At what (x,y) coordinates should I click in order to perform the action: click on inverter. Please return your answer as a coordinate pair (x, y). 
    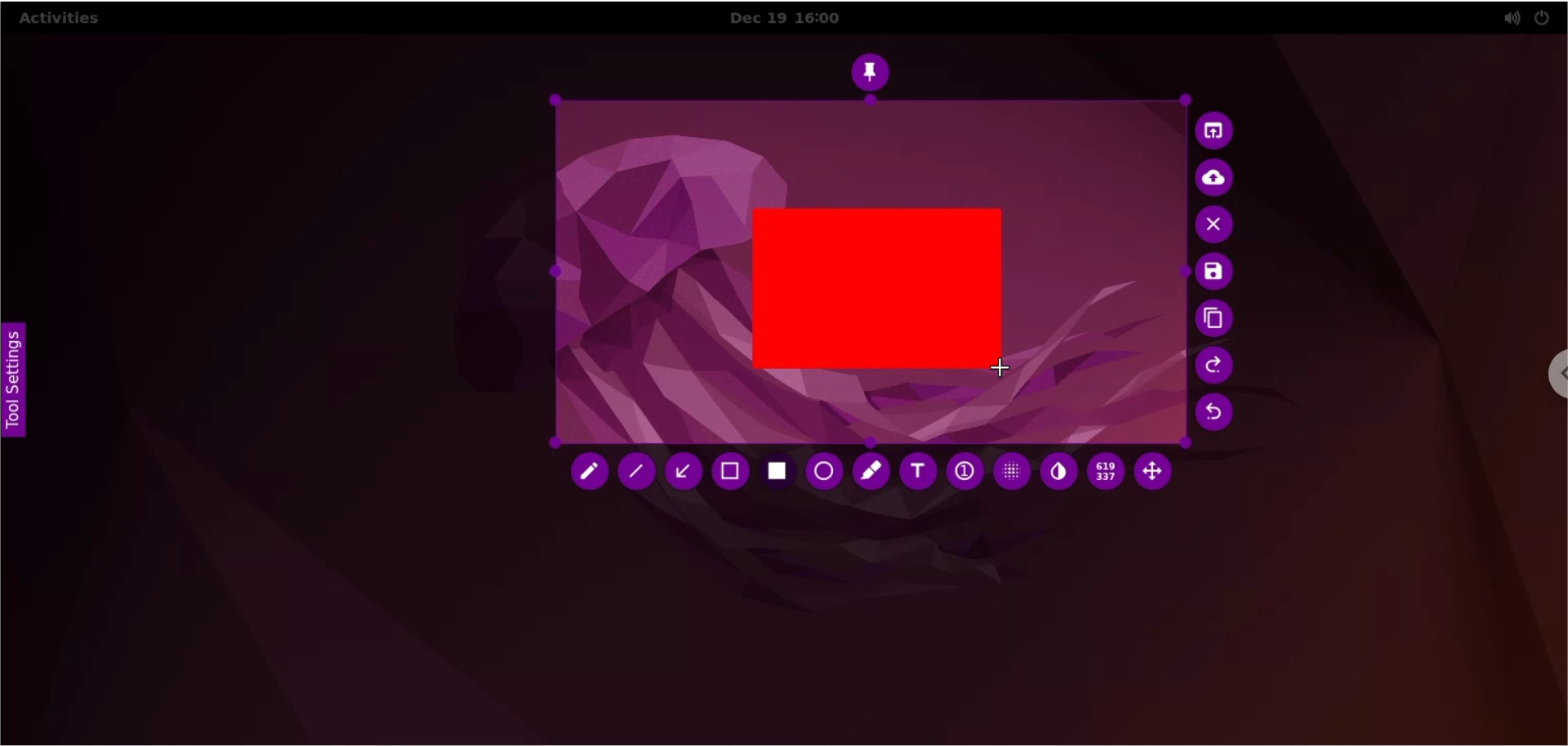
    Looking at the image, I should click on (1059, 474).